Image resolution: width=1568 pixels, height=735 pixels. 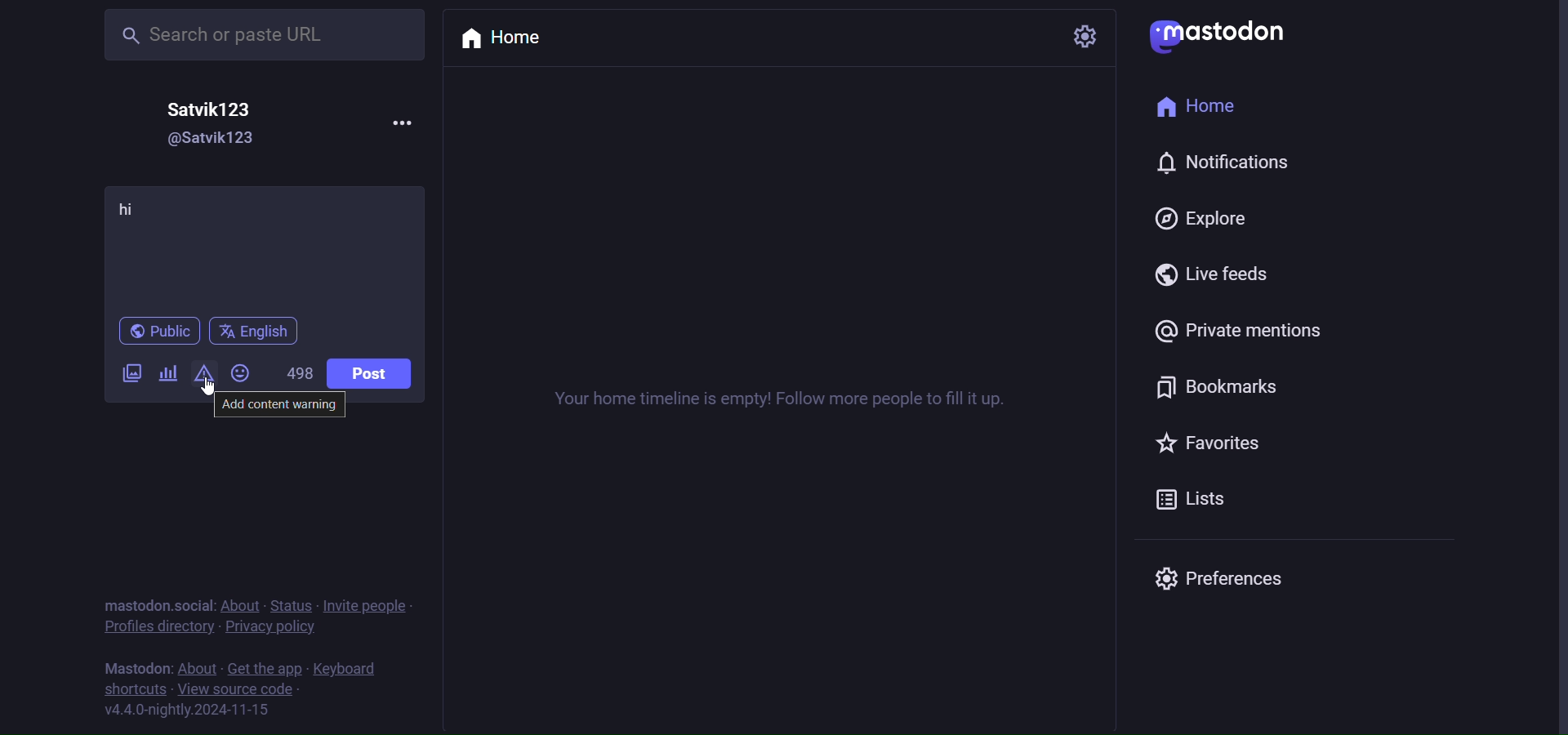 I want to click on add a poll, so click(x=169, y=372).